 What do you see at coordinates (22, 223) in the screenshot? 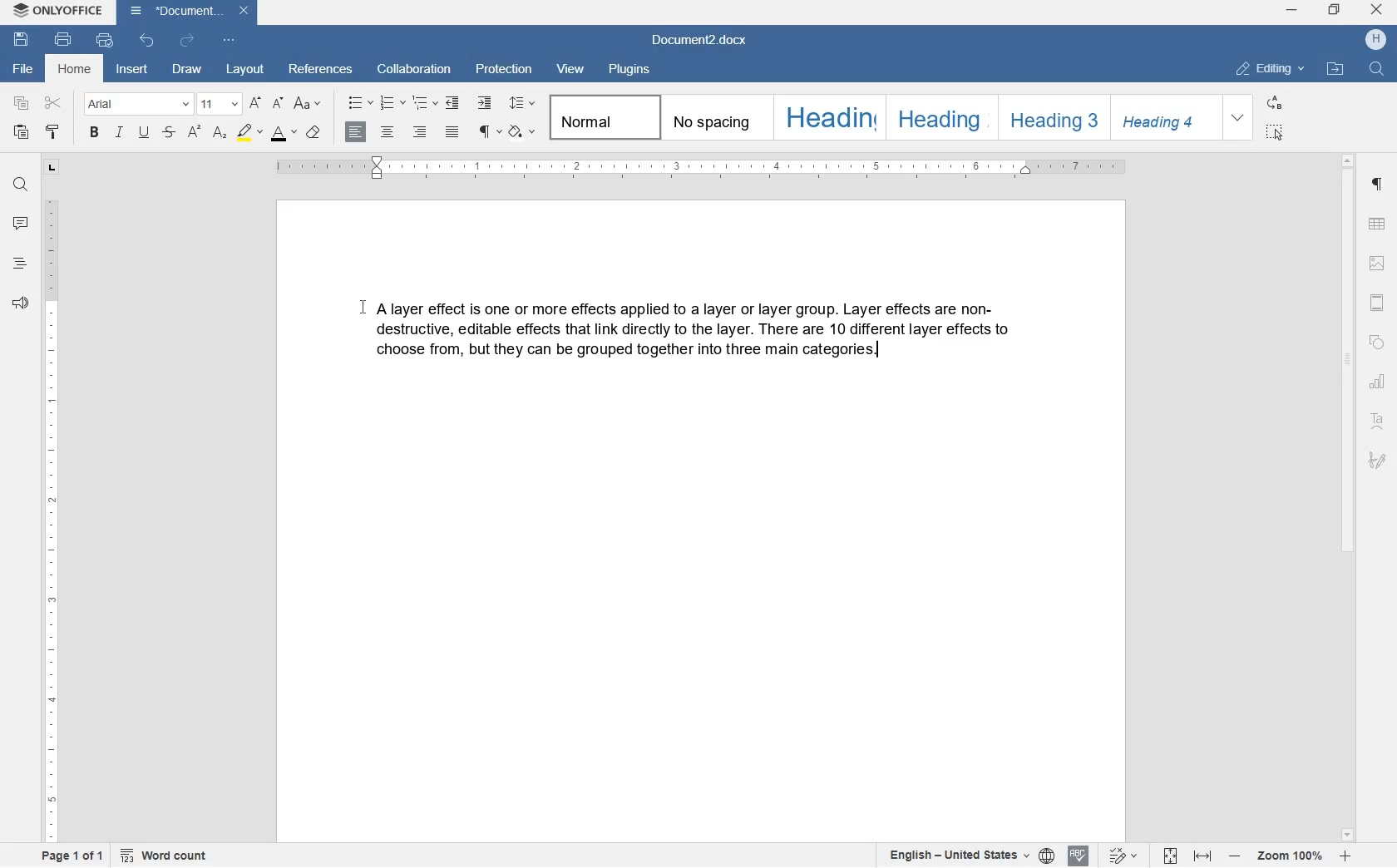
I see `comment` at bounding box center [22, 223].